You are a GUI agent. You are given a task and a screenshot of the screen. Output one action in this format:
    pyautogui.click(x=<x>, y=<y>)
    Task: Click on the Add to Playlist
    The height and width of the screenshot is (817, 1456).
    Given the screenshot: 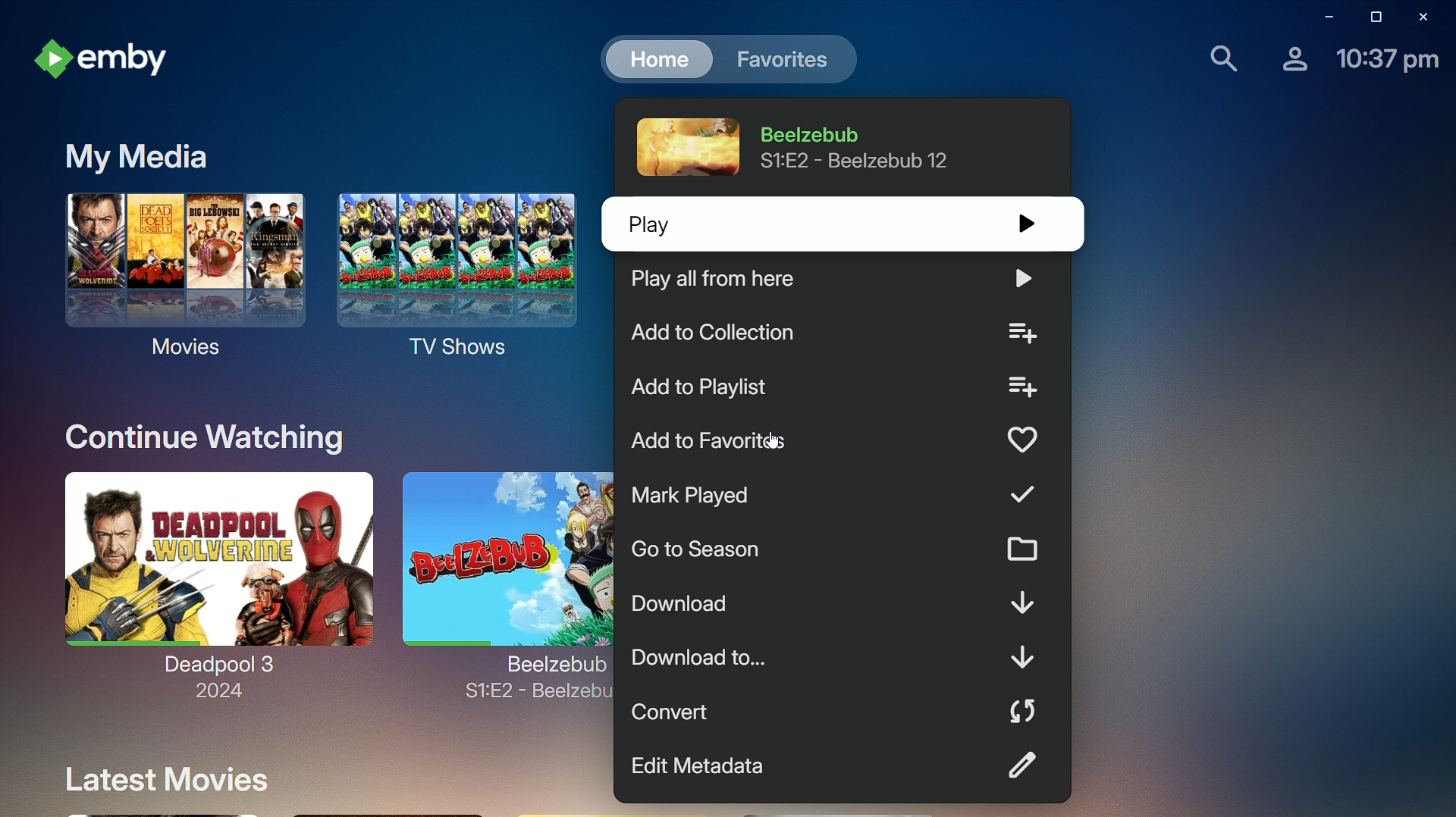 What is the action you would take?
    pyautogui.click(x=838, y=390)
    